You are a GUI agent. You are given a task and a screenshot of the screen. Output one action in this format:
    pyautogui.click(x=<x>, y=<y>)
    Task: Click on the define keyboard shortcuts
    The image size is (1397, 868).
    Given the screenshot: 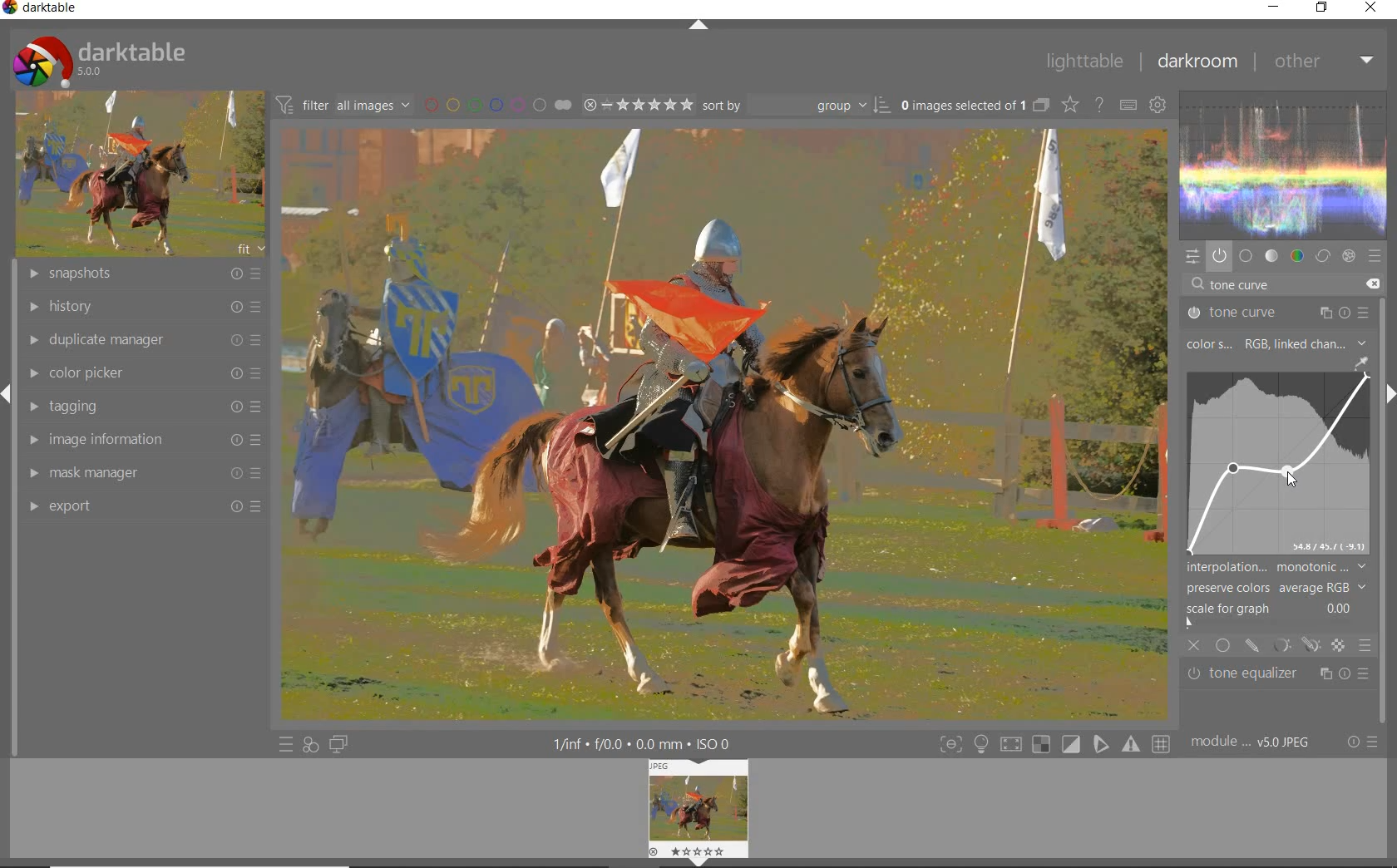 What is the action you would take?
    pyautogui.click(x=1128, y=106)
    